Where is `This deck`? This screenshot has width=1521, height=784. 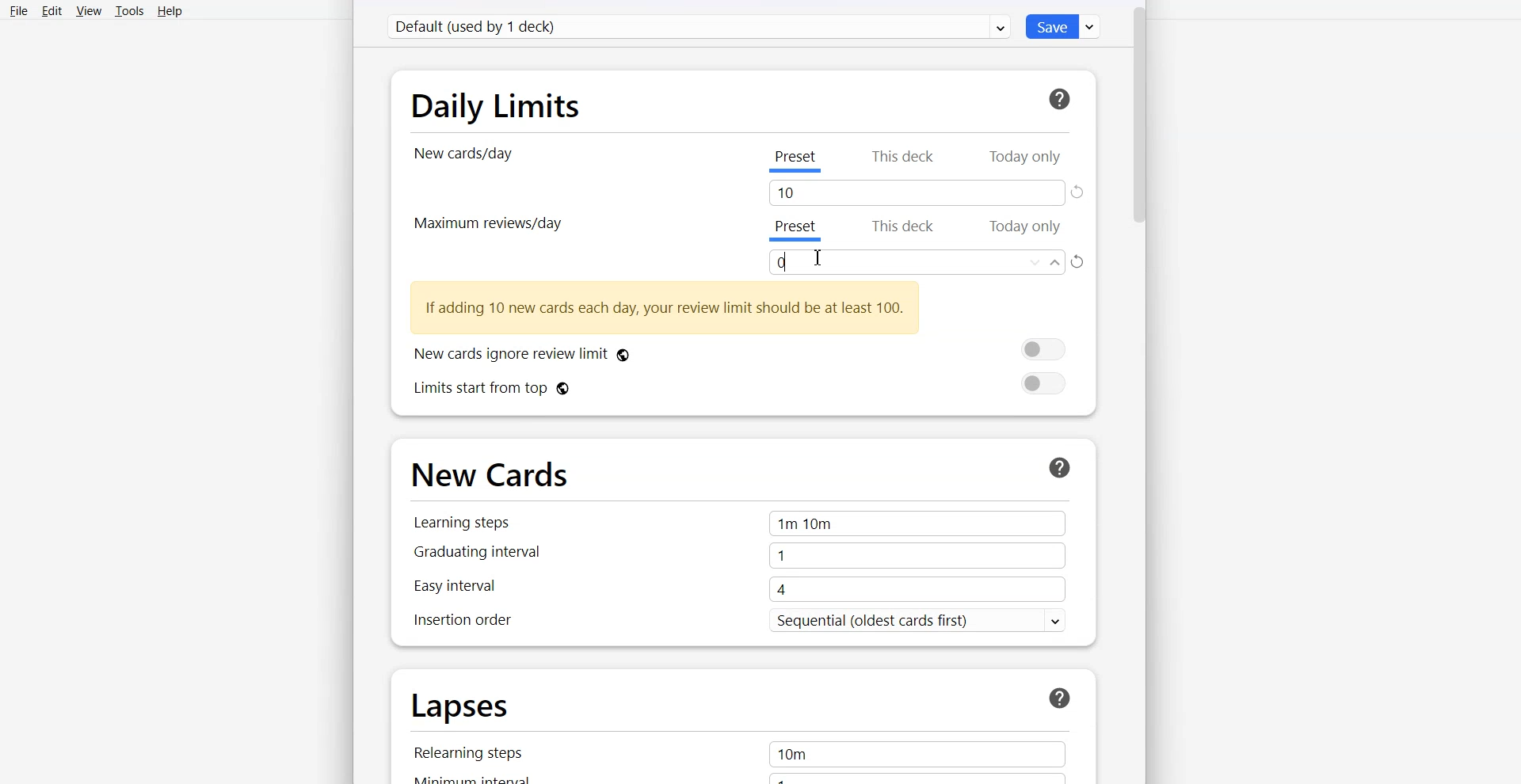
This deck is located at coordinates (905, 160).